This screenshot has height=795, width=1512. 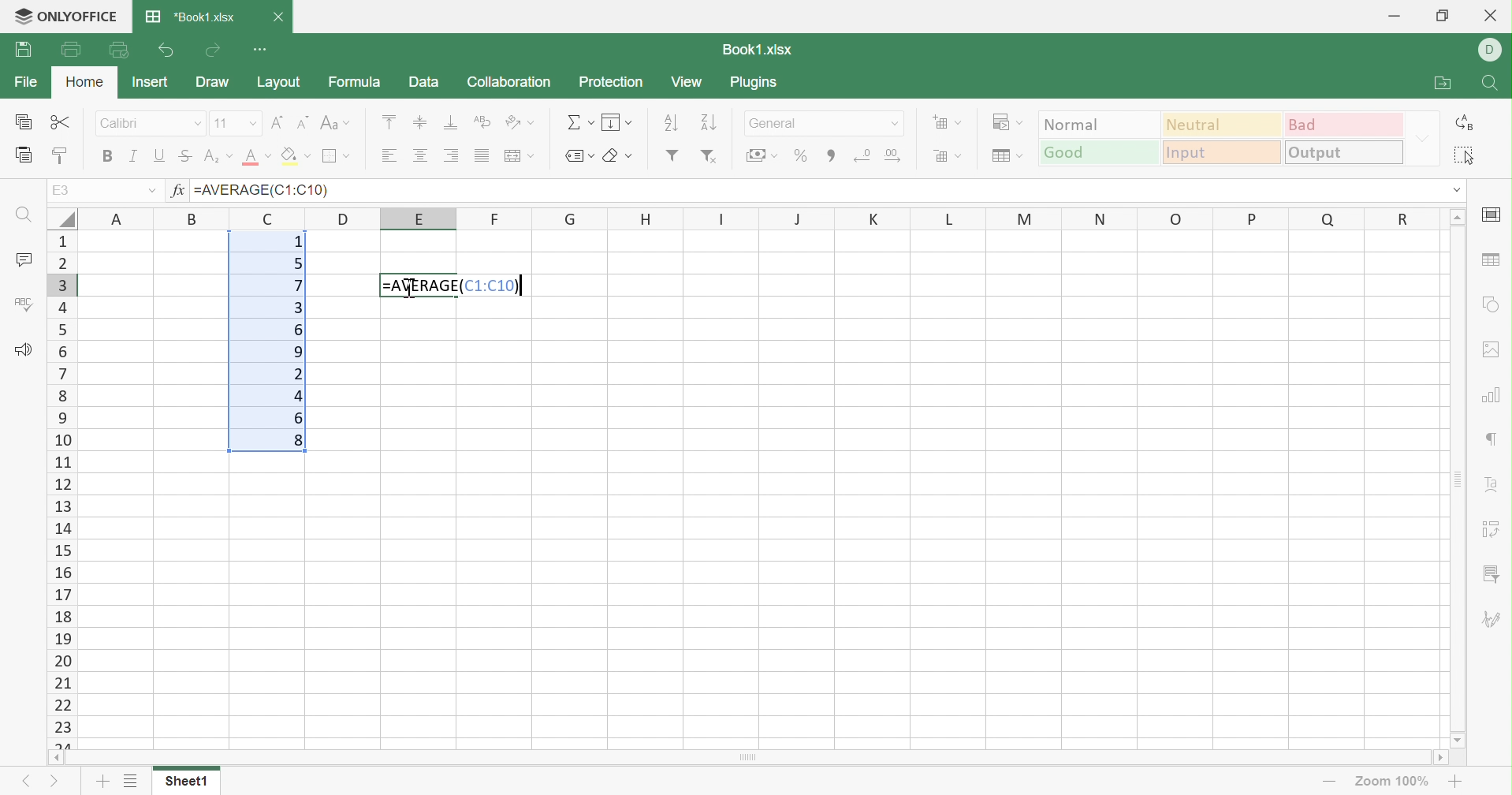 What do you see at coordinates (801, 155) in the screenshot?
I see `Percent style` at bounding box center [801, 155].